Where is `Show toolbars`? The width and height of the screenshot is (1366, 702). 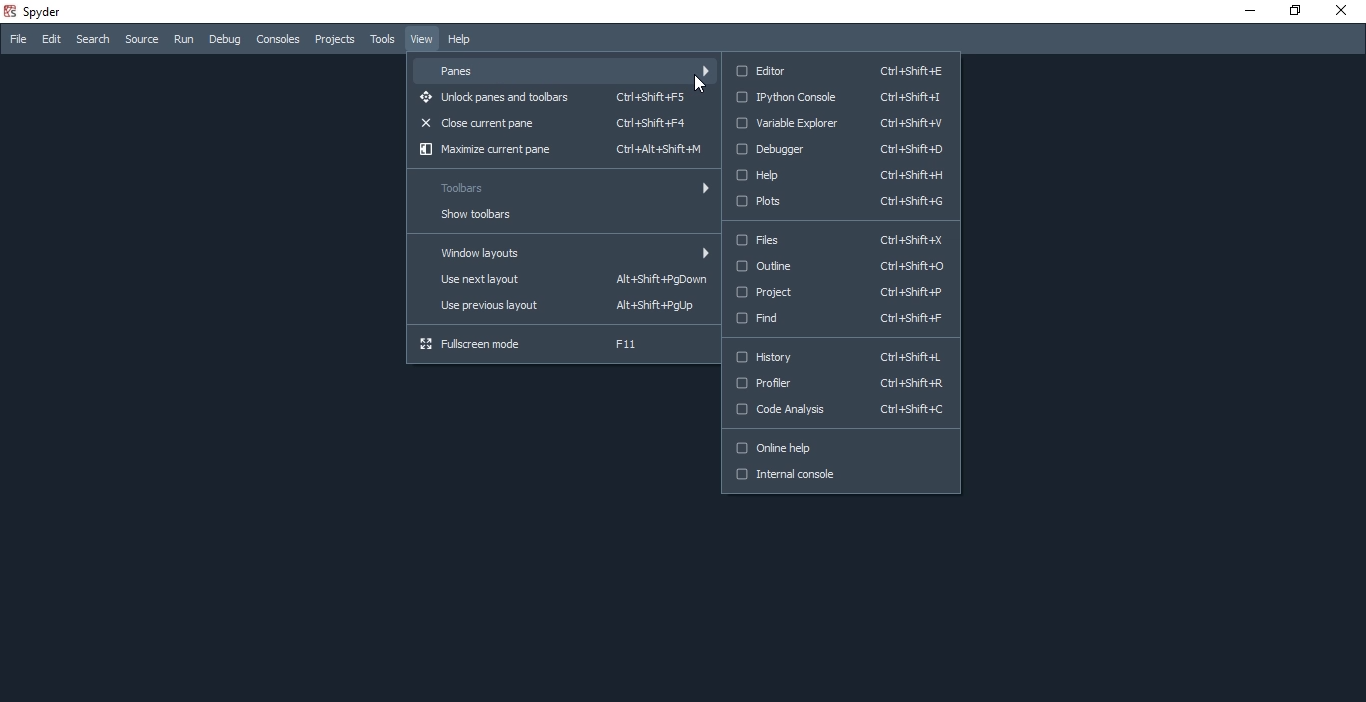
Show toolbars is located at coordinates (561, 216).